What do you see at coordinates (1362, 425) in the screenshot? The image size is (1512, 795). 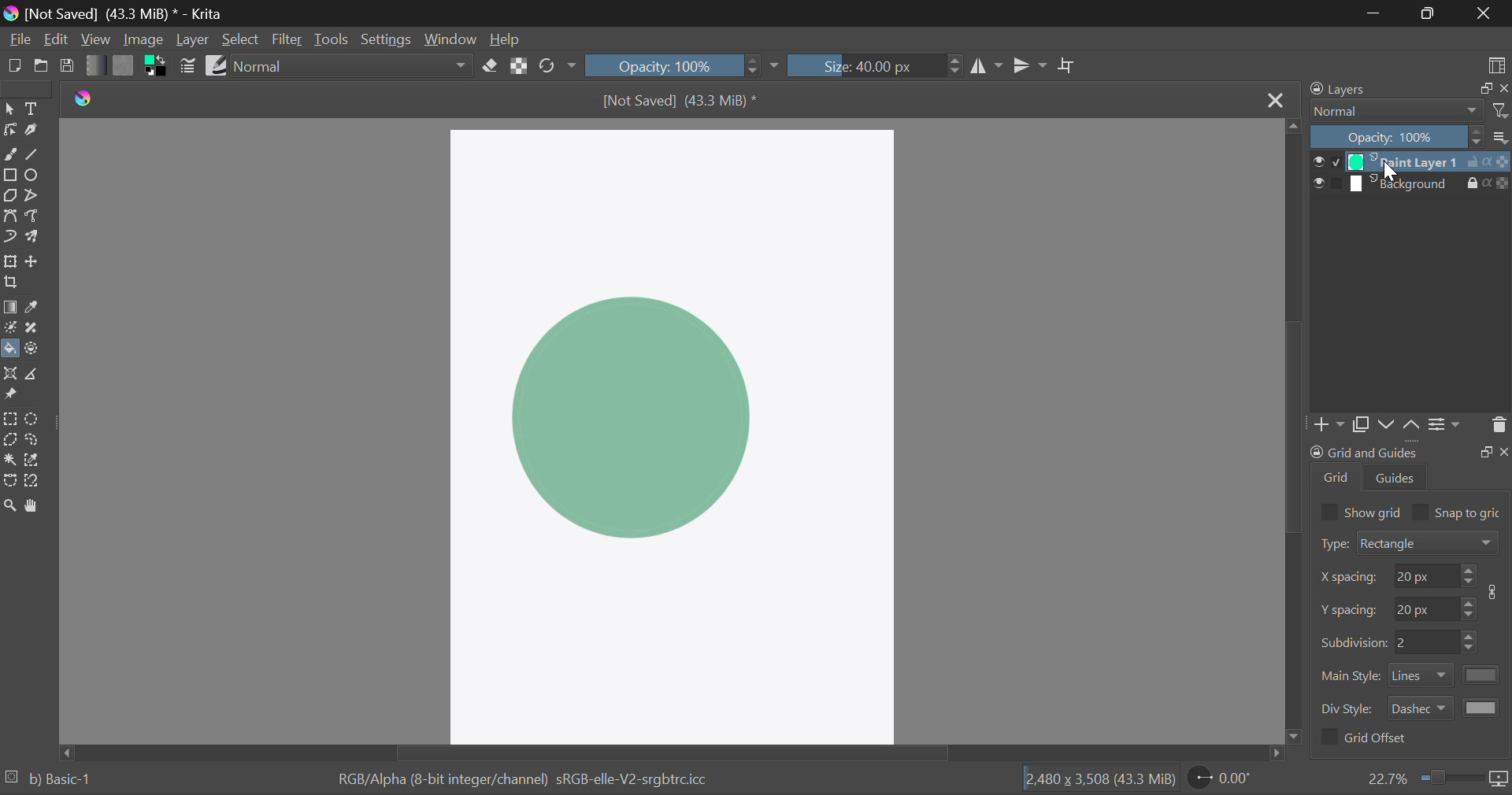 I see `Copy Layers` at bounding box center [1362, 425].